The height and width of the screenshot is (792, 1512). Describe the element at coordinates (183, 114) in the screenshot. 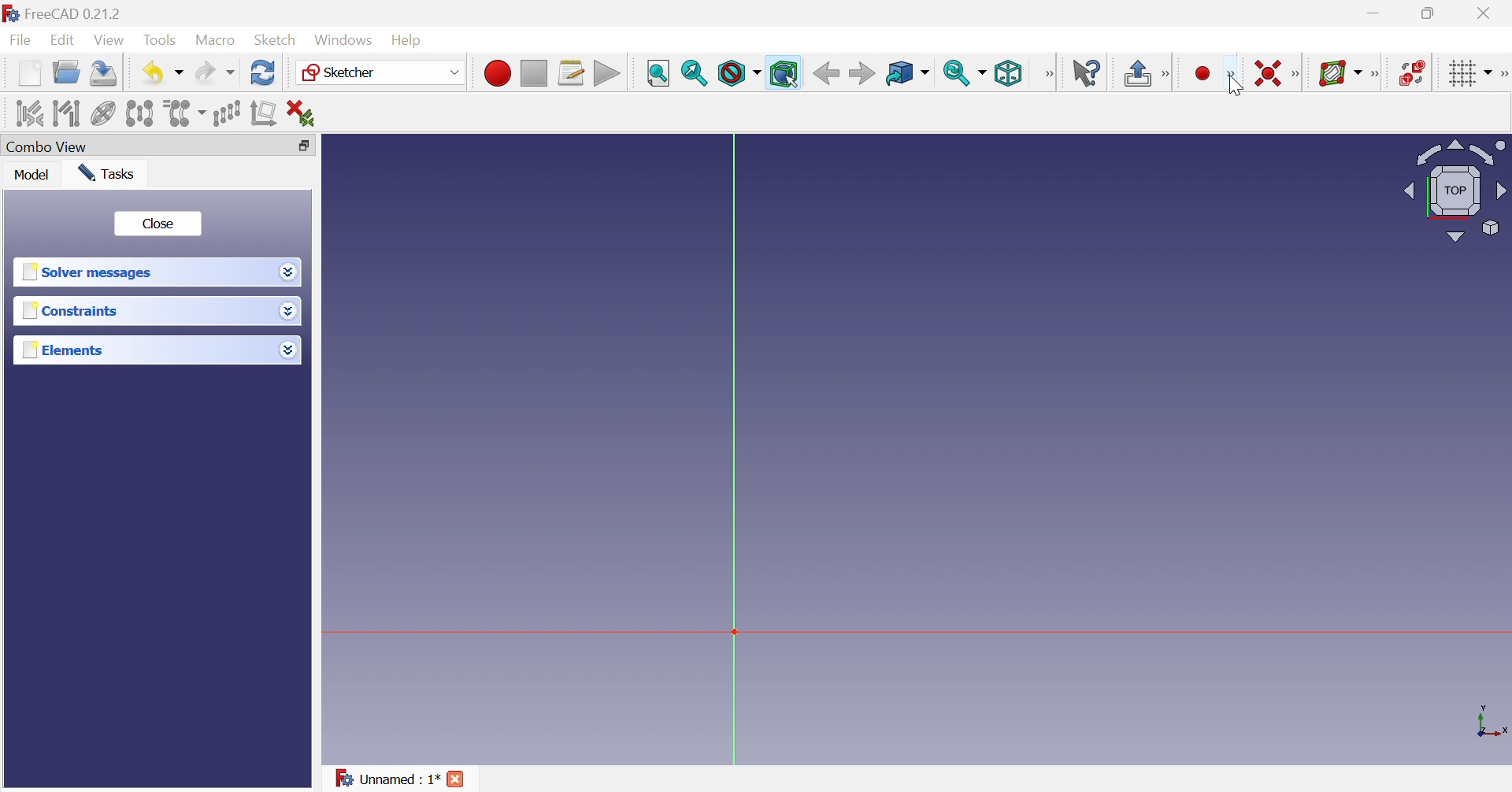

I see `Clone` at that location.